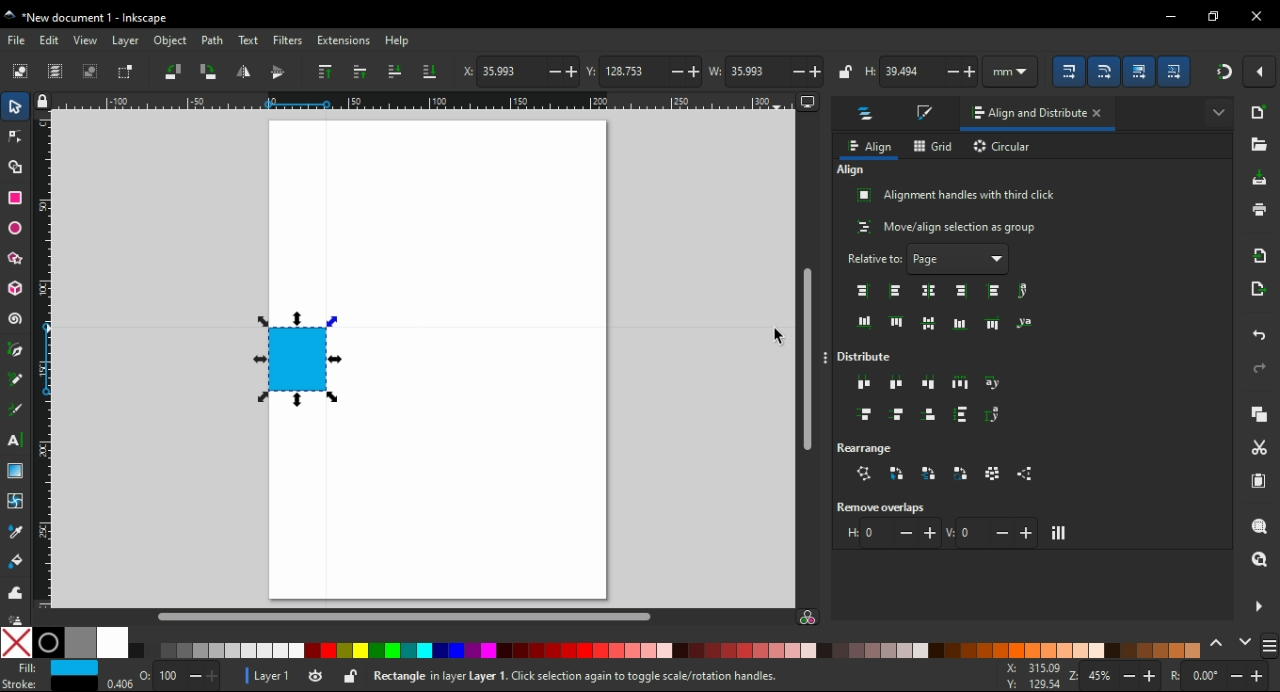 This screenshot has width=1280, height=692. What do you see at coordinates (98, 16) in the screenshot?
I see `icon and filename` at bounding box center [98, 16].